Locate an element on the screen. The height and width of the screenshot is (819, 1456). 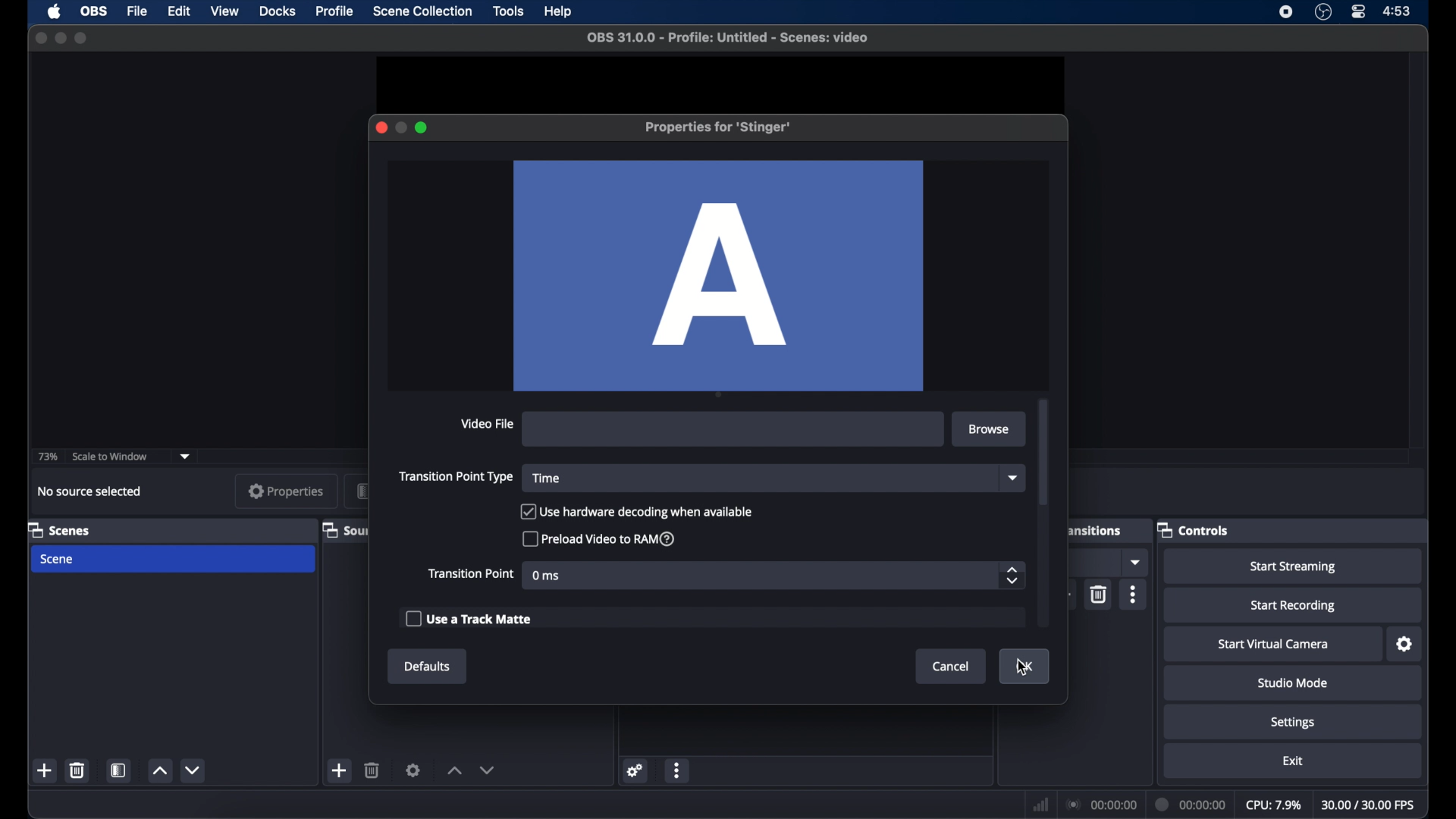
help is located at coordinates (560, 11).